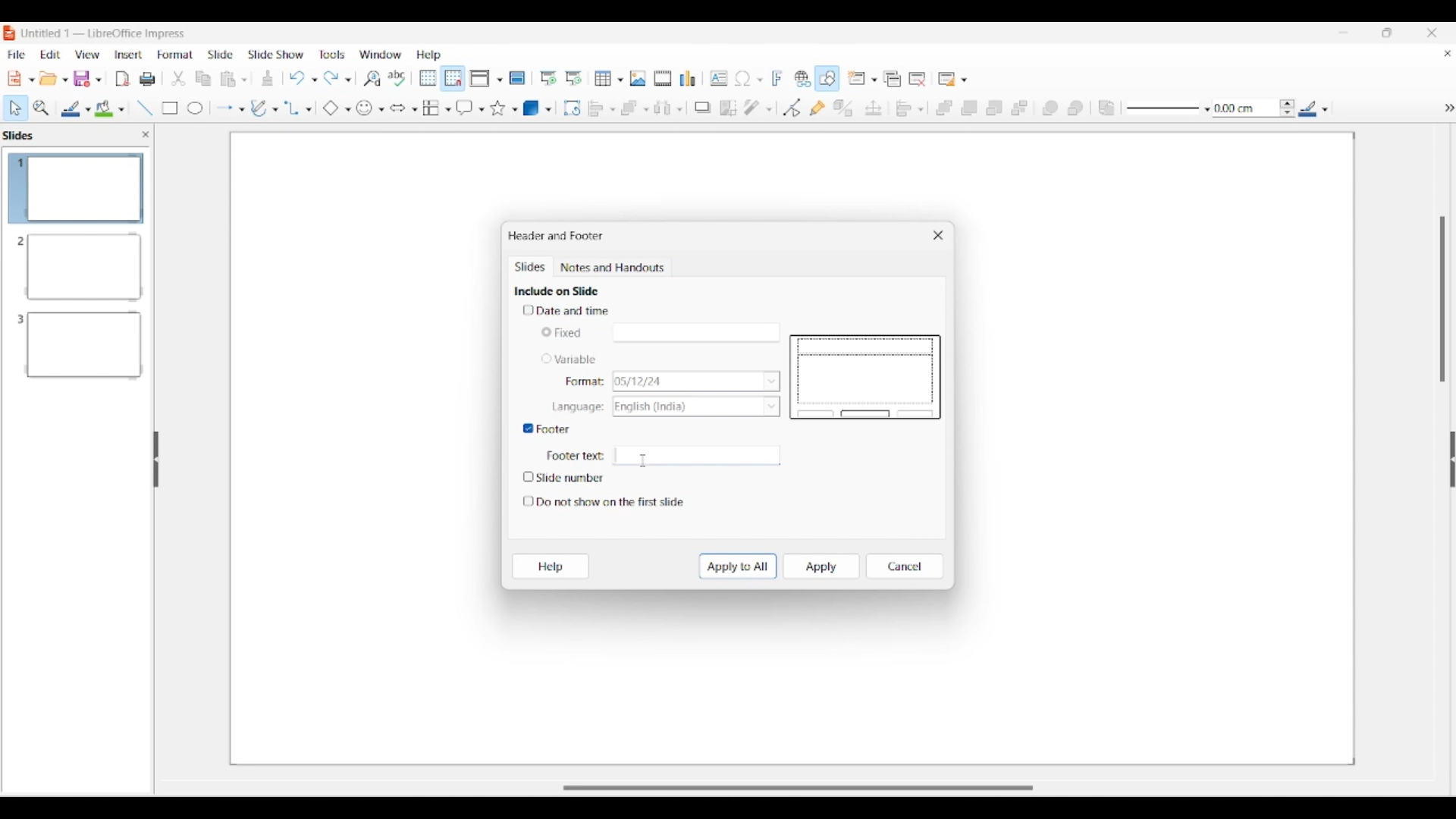  I want to click on Cursor clicking on footer textbox, so click(643, 462).